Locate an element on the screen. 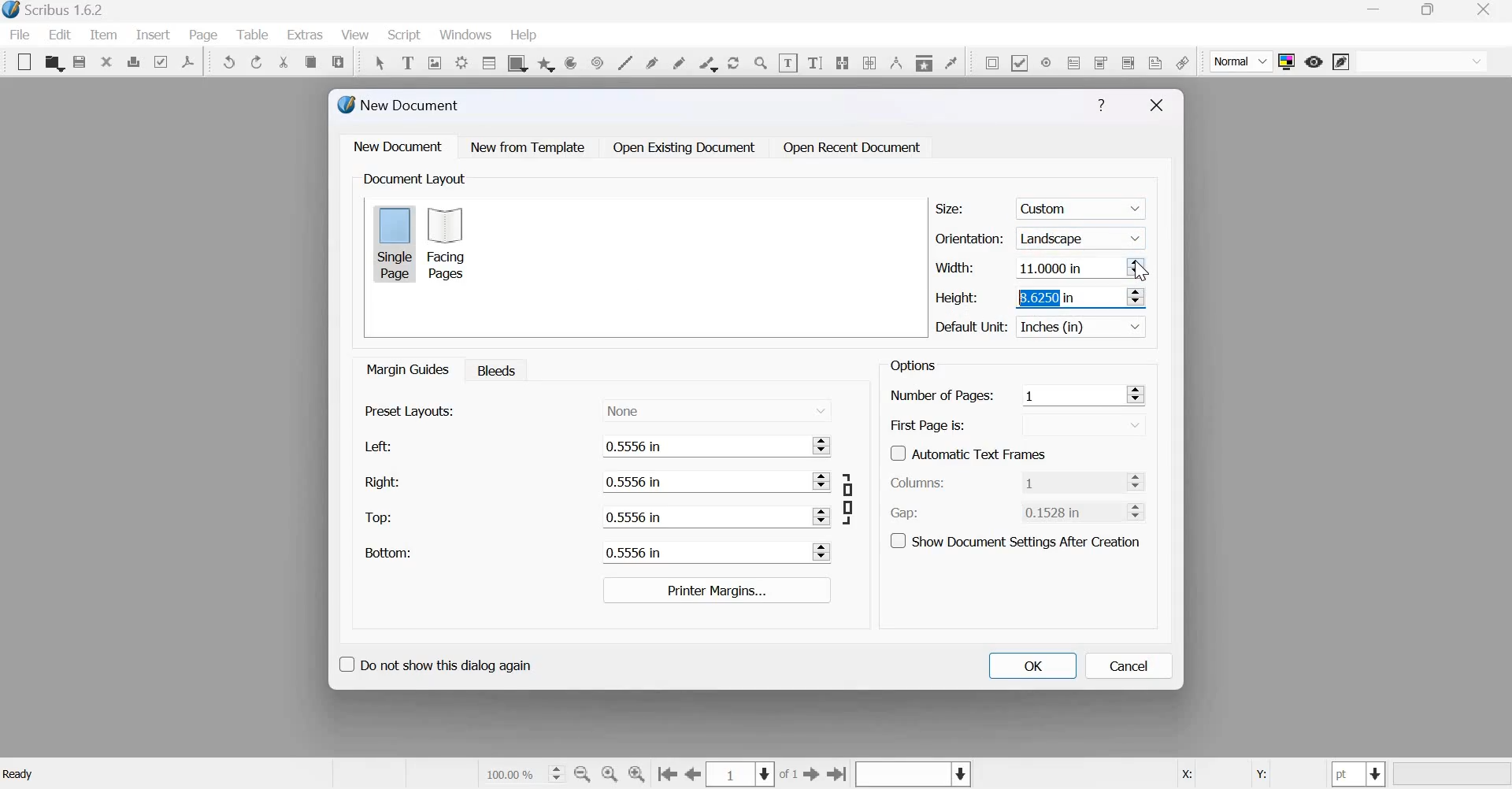 This screenshot has width=1512, height=789. Undo is located at coordinates (230, 62).